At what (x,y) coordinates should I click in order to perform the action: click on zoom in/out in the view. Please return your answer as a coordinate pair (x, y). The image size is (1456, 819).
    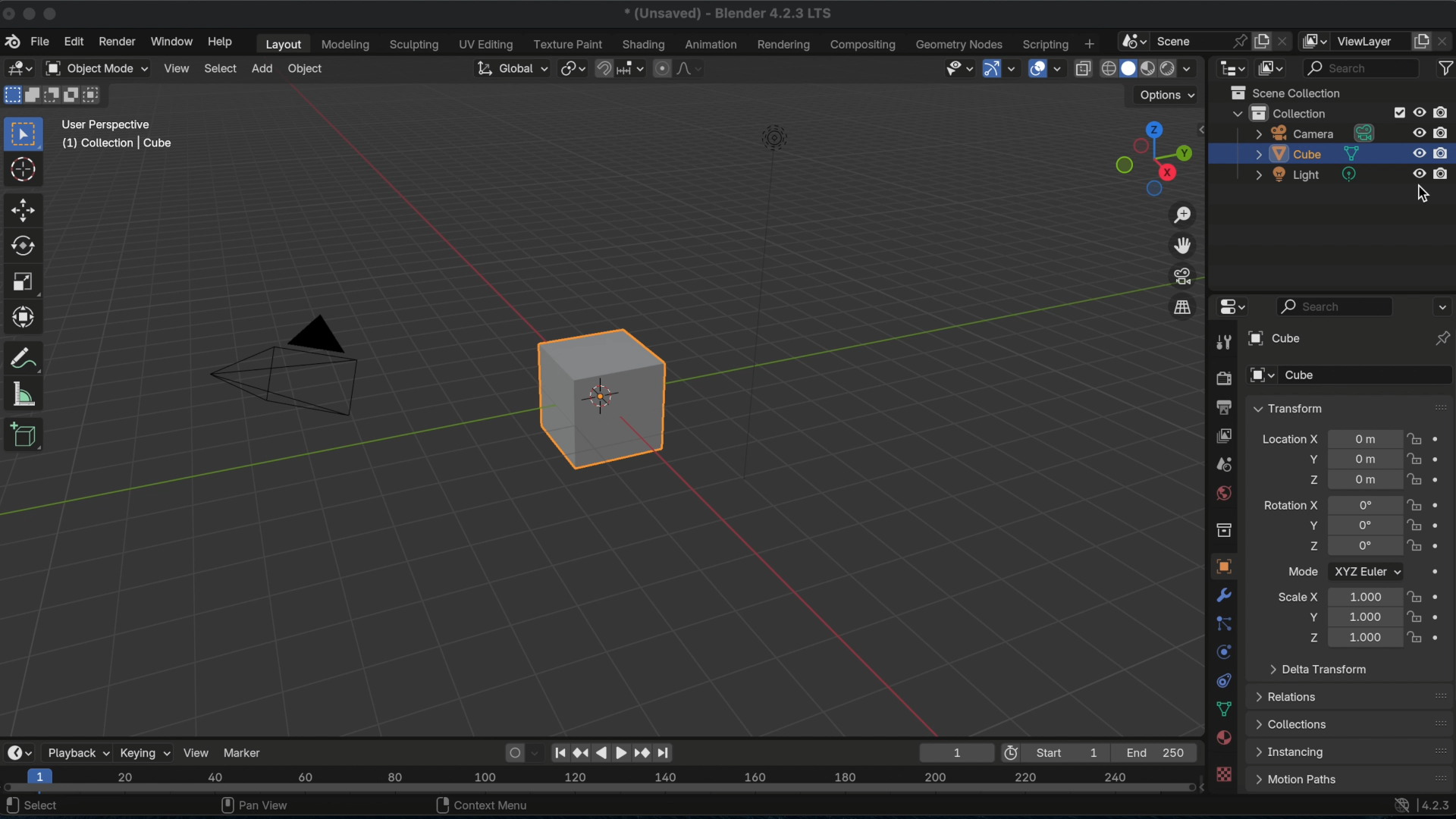
    Looking at the image, I should click on (1182, 215).